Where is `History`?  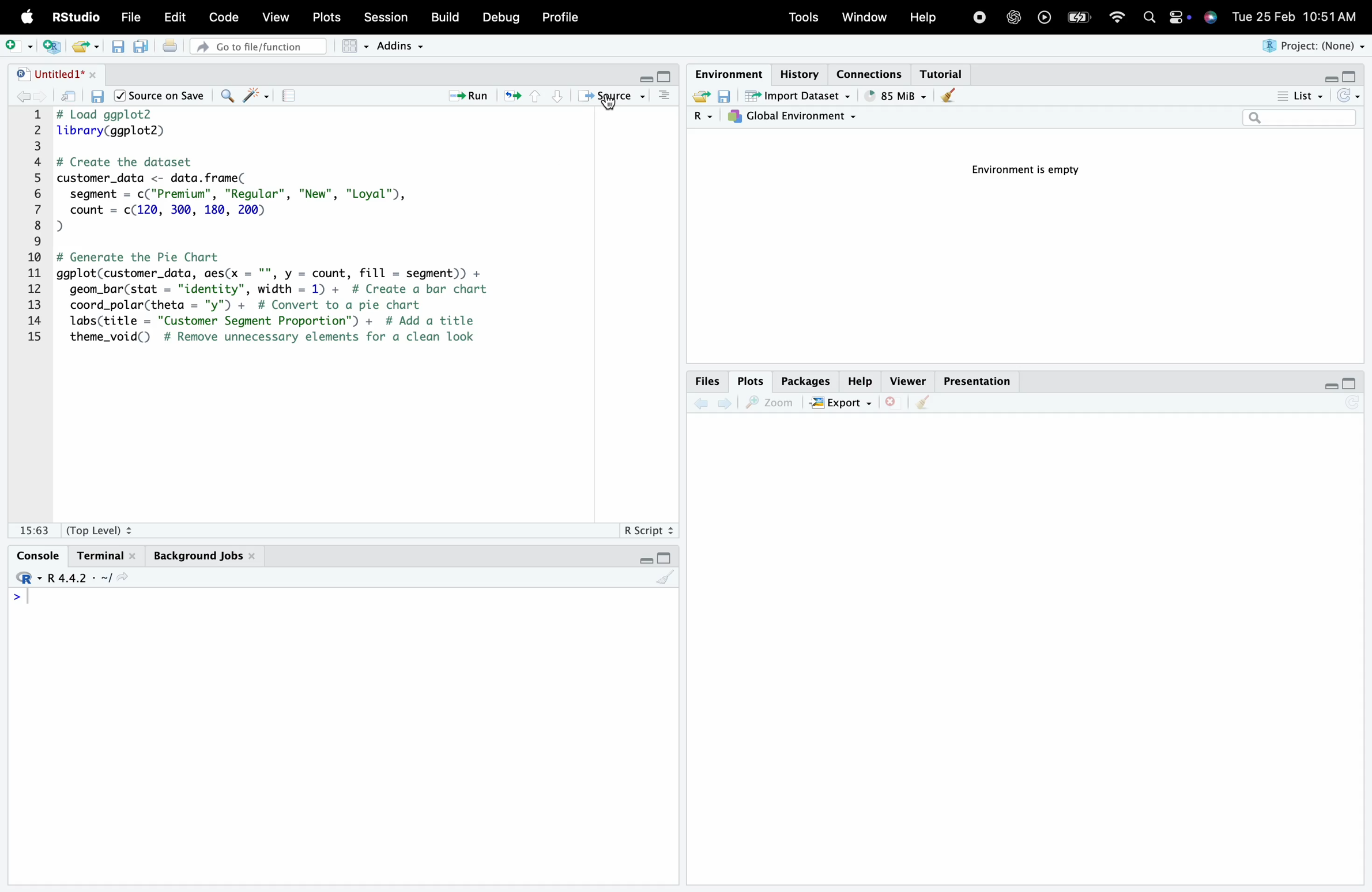 History is located at coordinates (796, 68).